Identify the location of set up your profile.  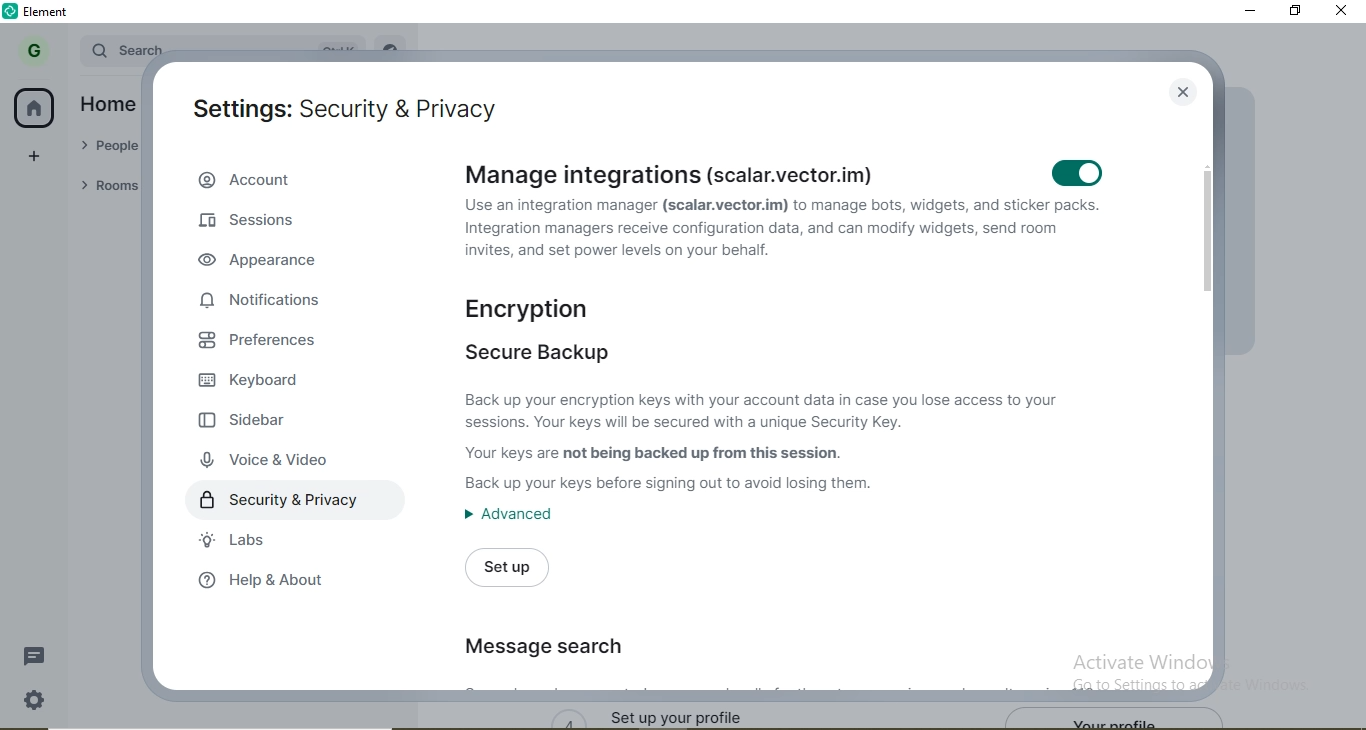
(701, 714).